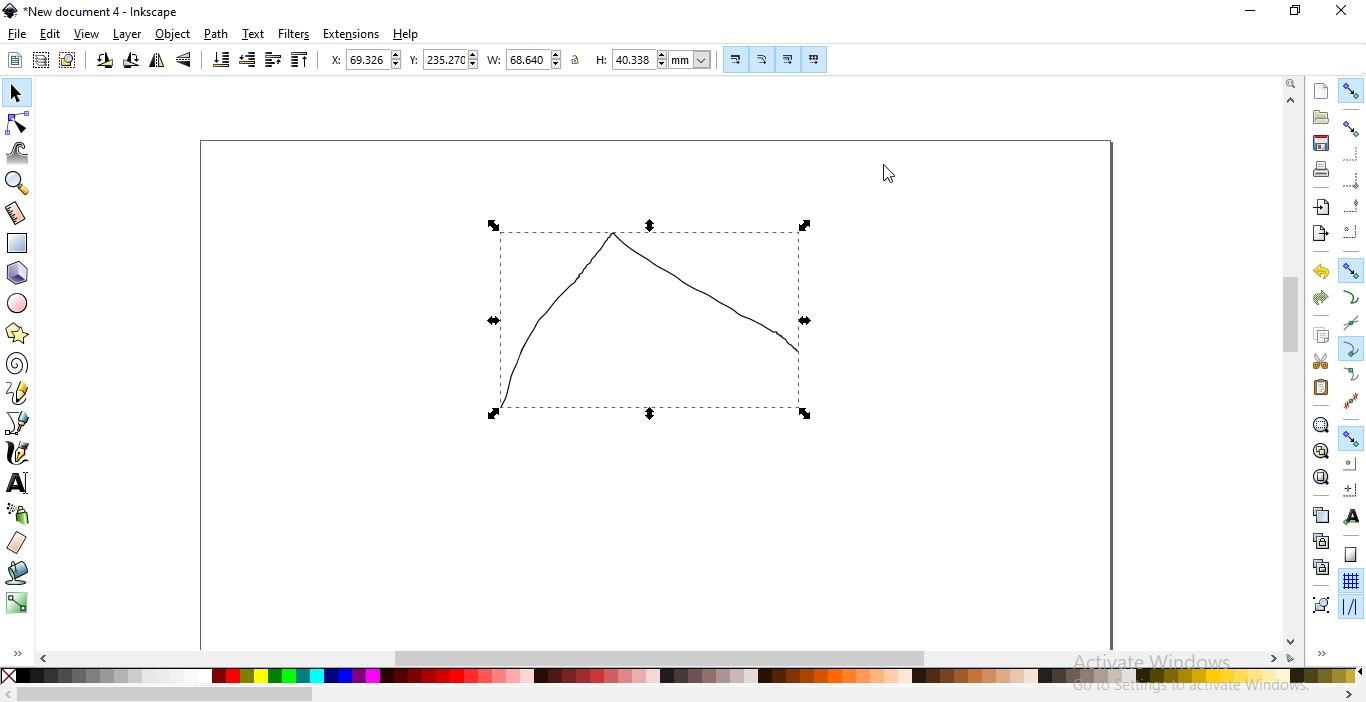  I want to click on erase existing paths, so click(17, 542).